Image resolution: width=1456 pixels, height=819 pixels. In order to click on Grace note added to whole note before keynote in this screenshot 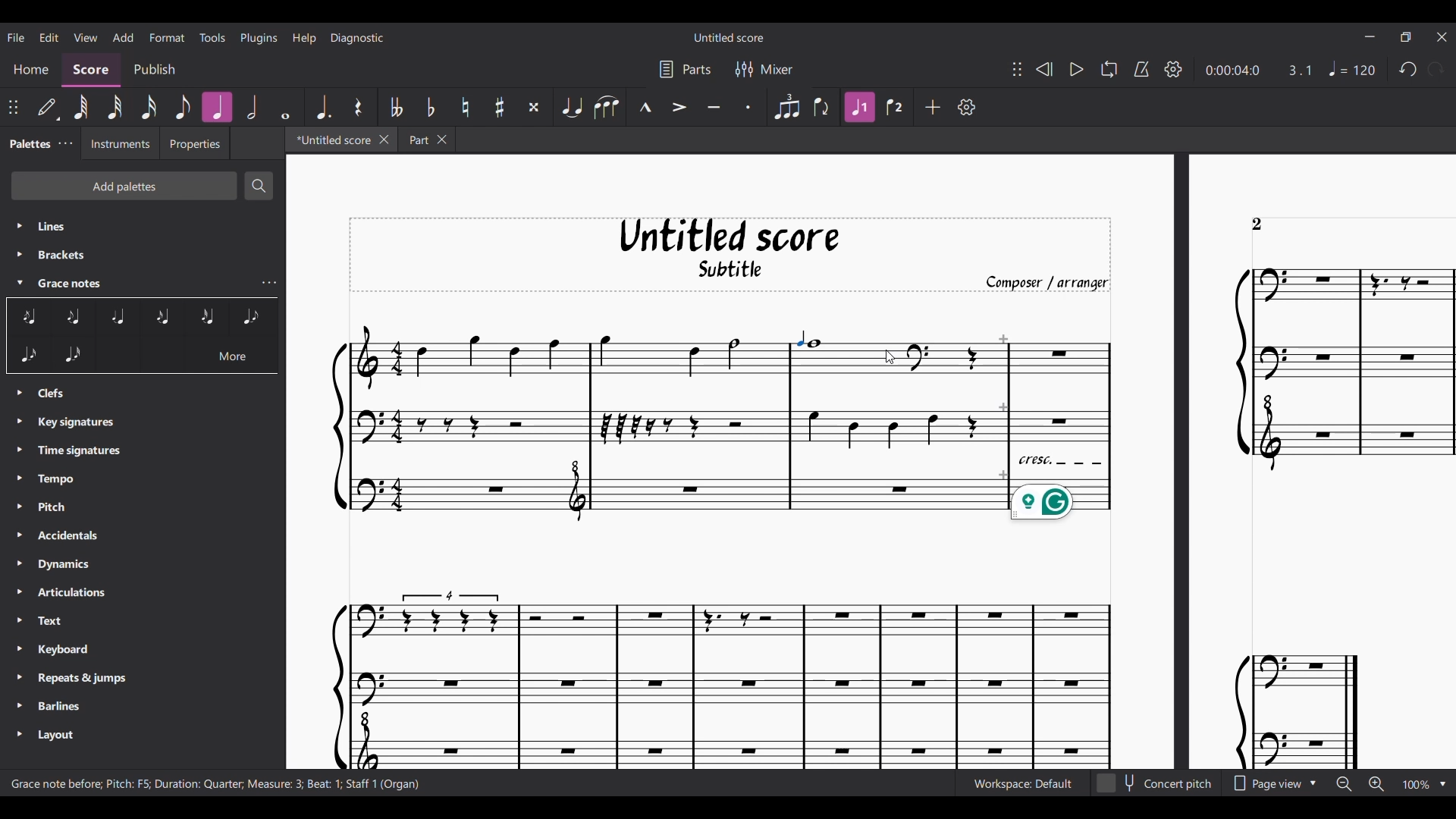, I will do `click(800, 338)`.